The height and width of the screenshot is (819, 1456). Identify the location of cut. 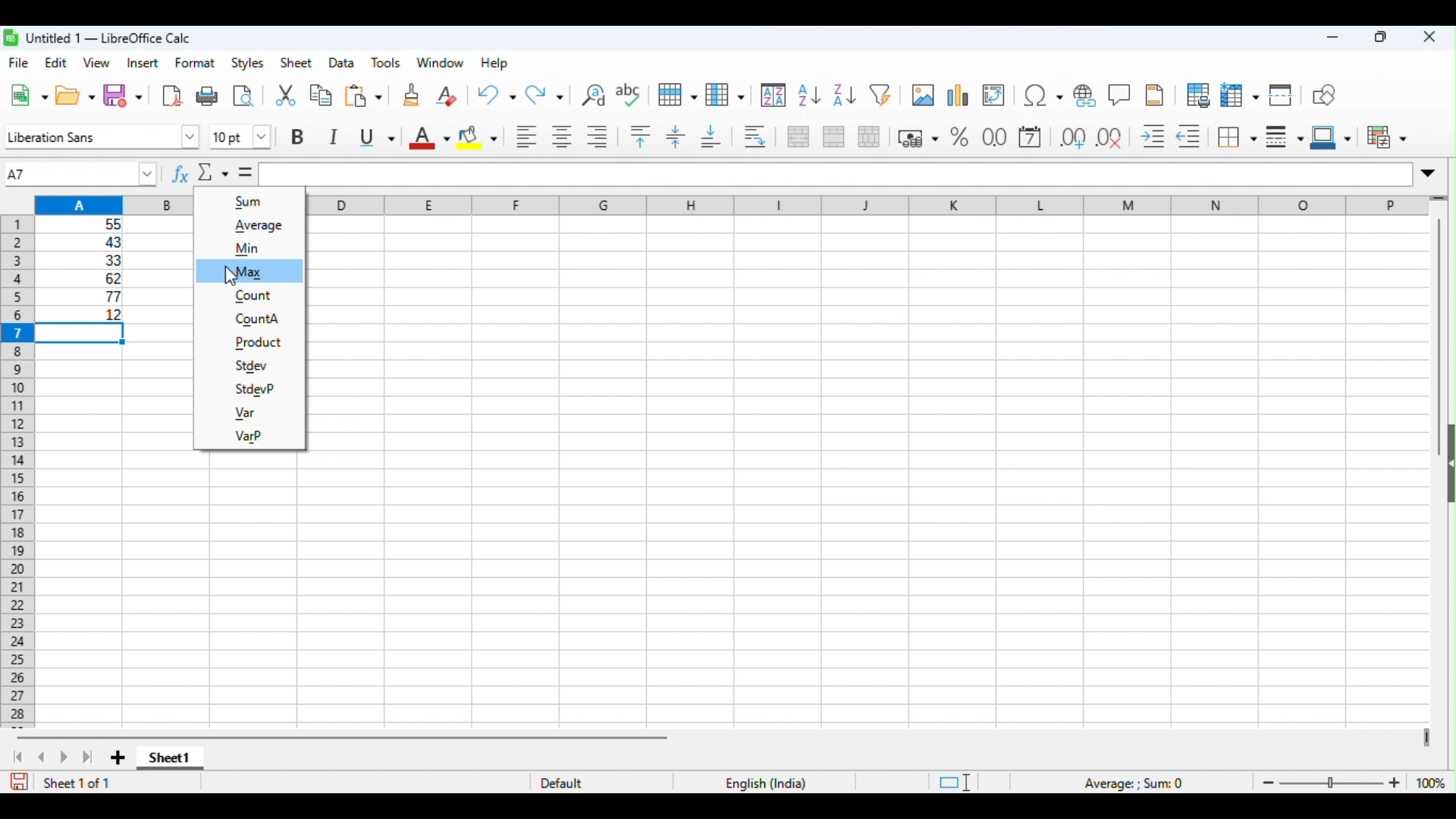
(285, 97).